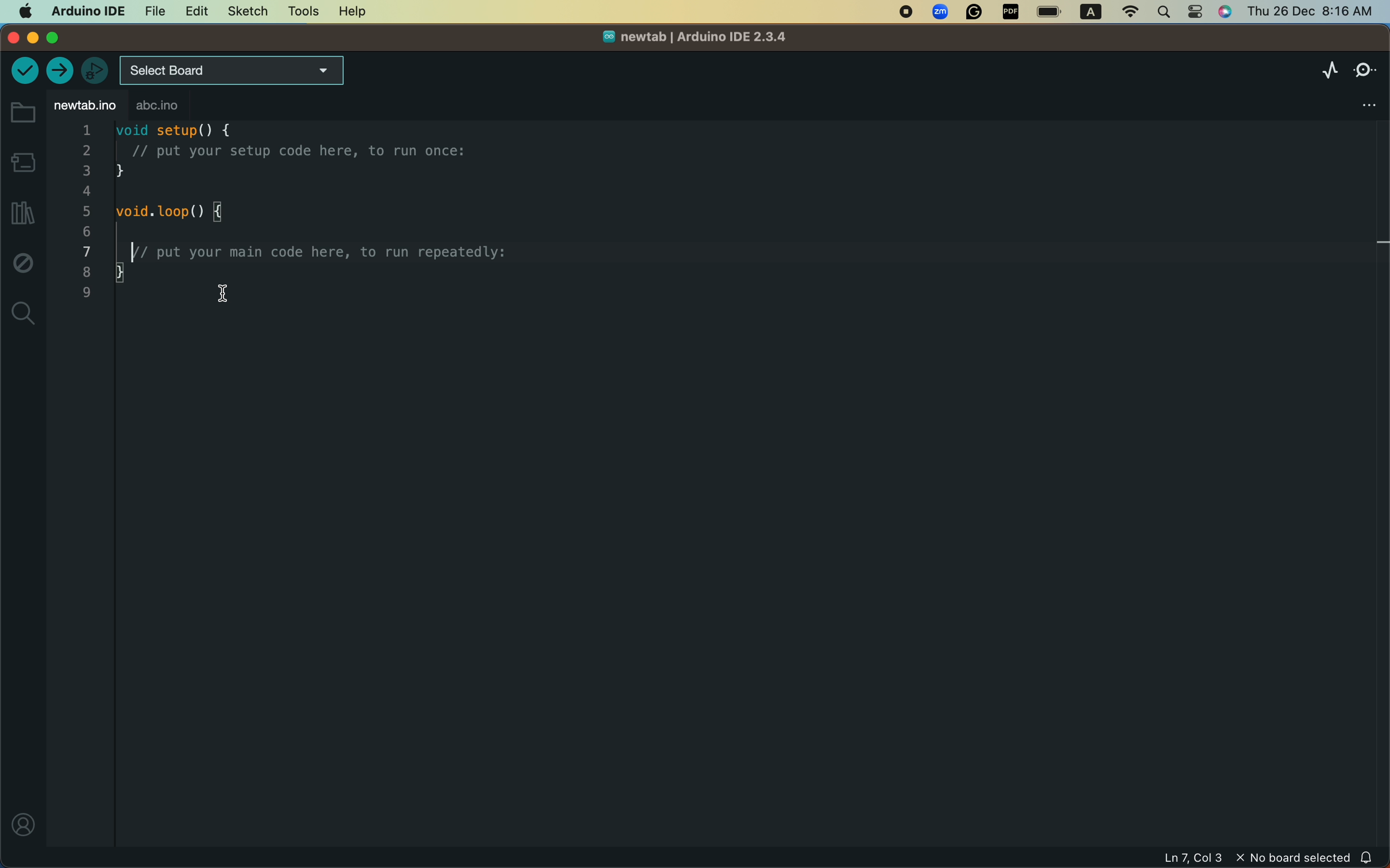 This screenshot has width=1390, height=868. What do you see at coordinates (22, 161) in the screenshot?
I see `board manager` at bounding box center [22, 161].